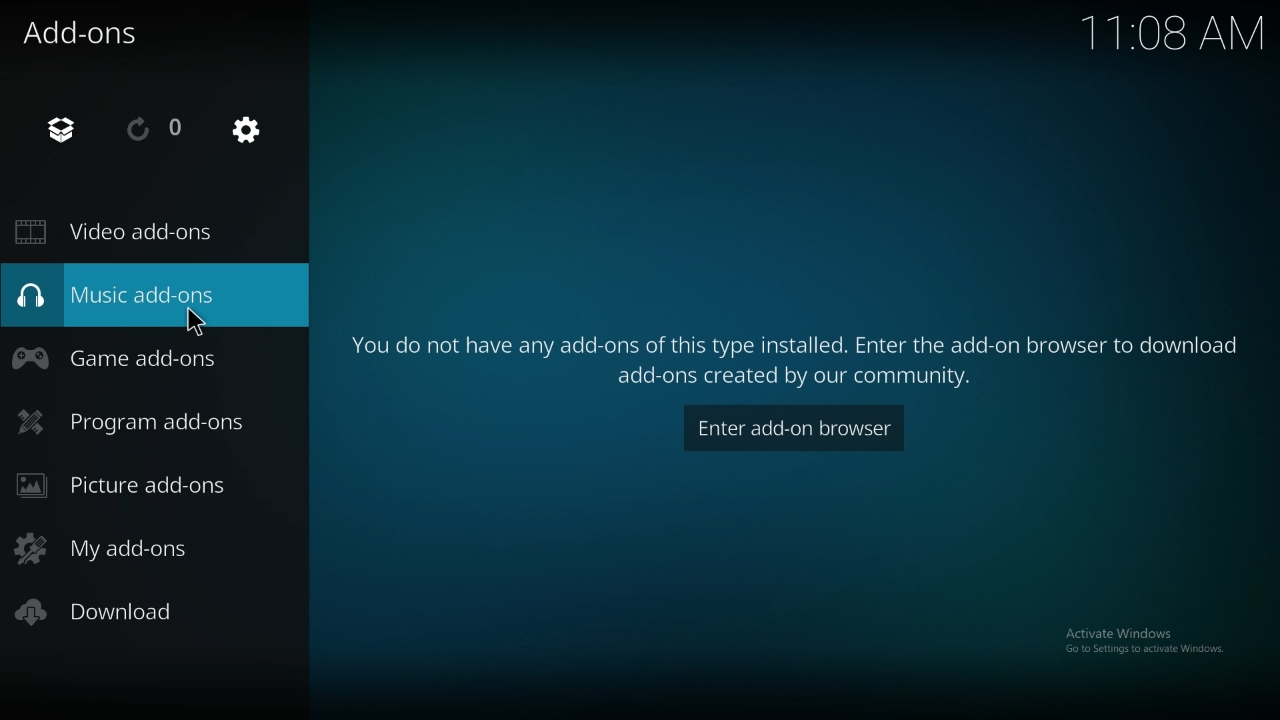 This screenshot has height=720, width=1280. Describe the element at coordinates (135, 421) in the screenshot. I see `program add ons` at that location.